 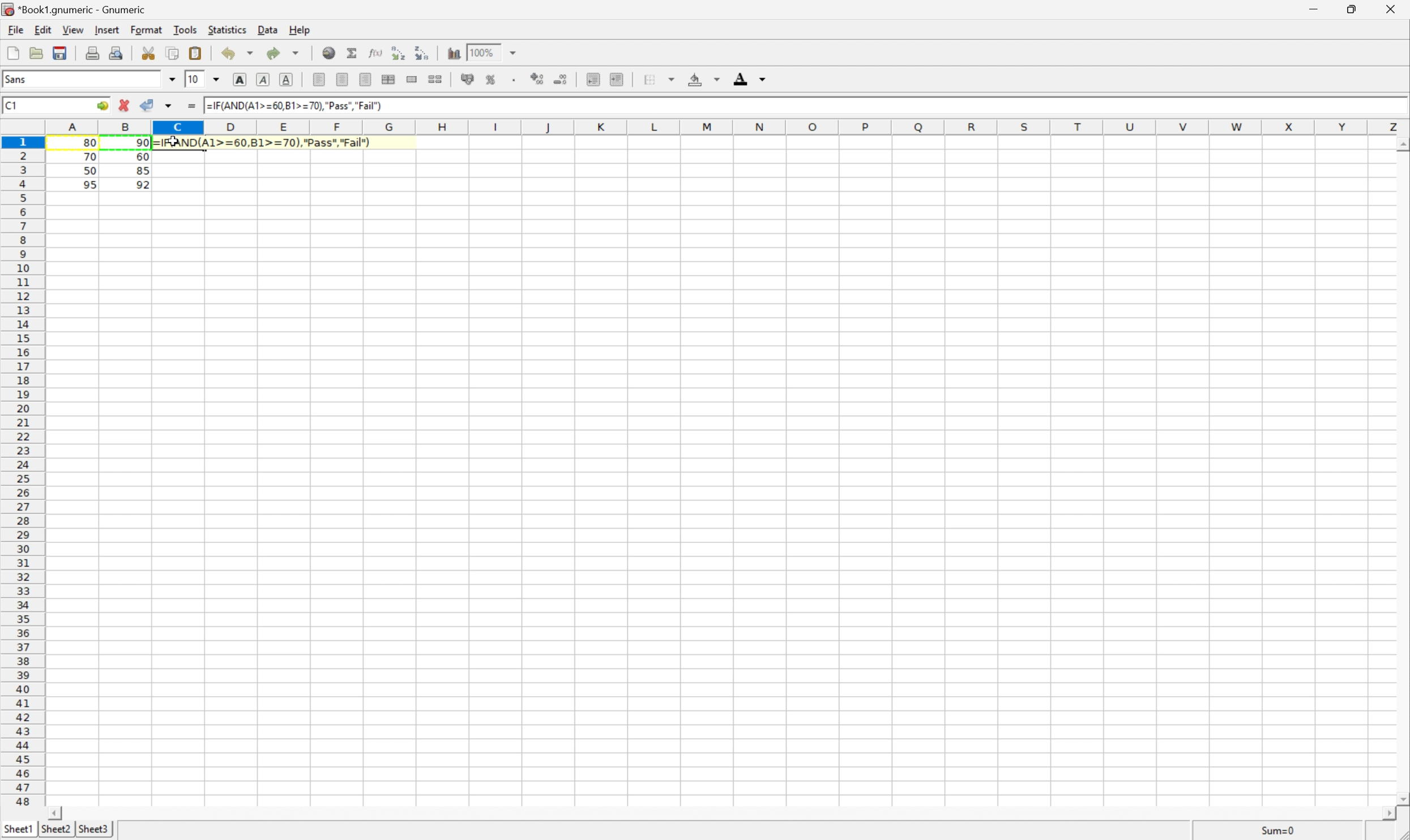 What do you see at coordinates (229, 31) in the screenshot?
I see `Statistics` at bounding box center [229, 31].